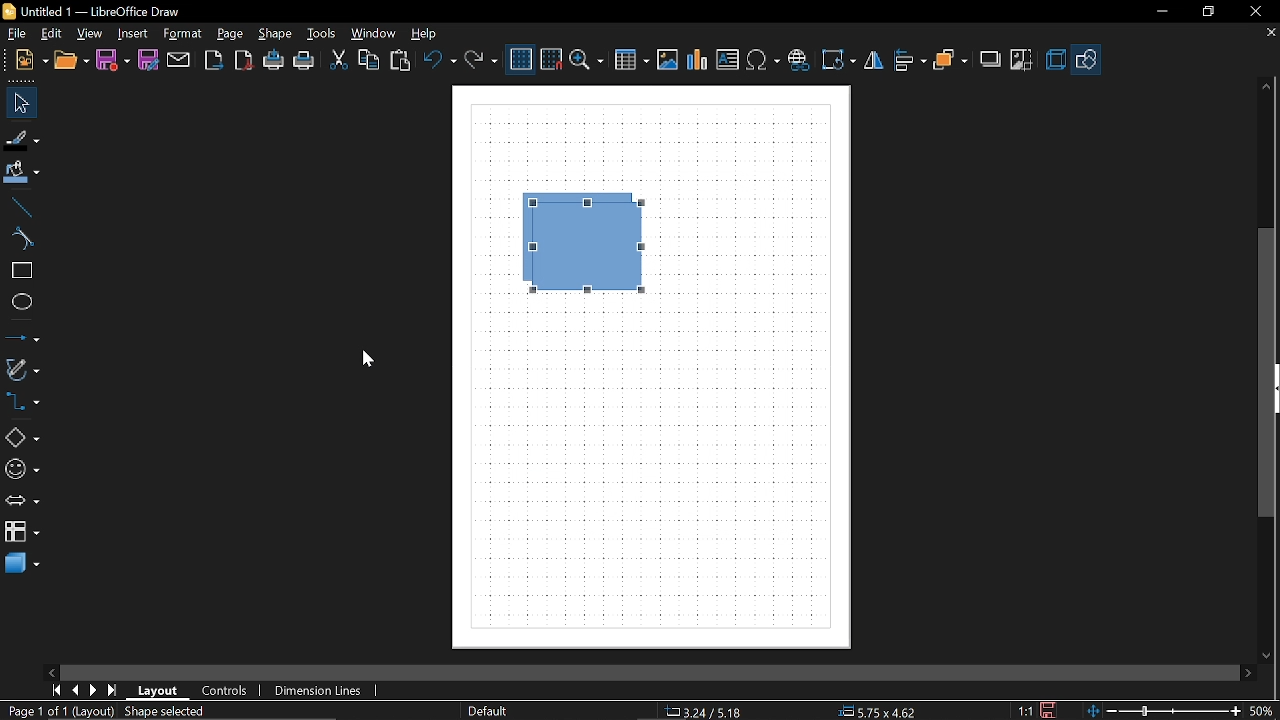 The image size is (1280, 720). Describe the element at coordinates (439, 60) in the screenshot. I see `undo` at that location.